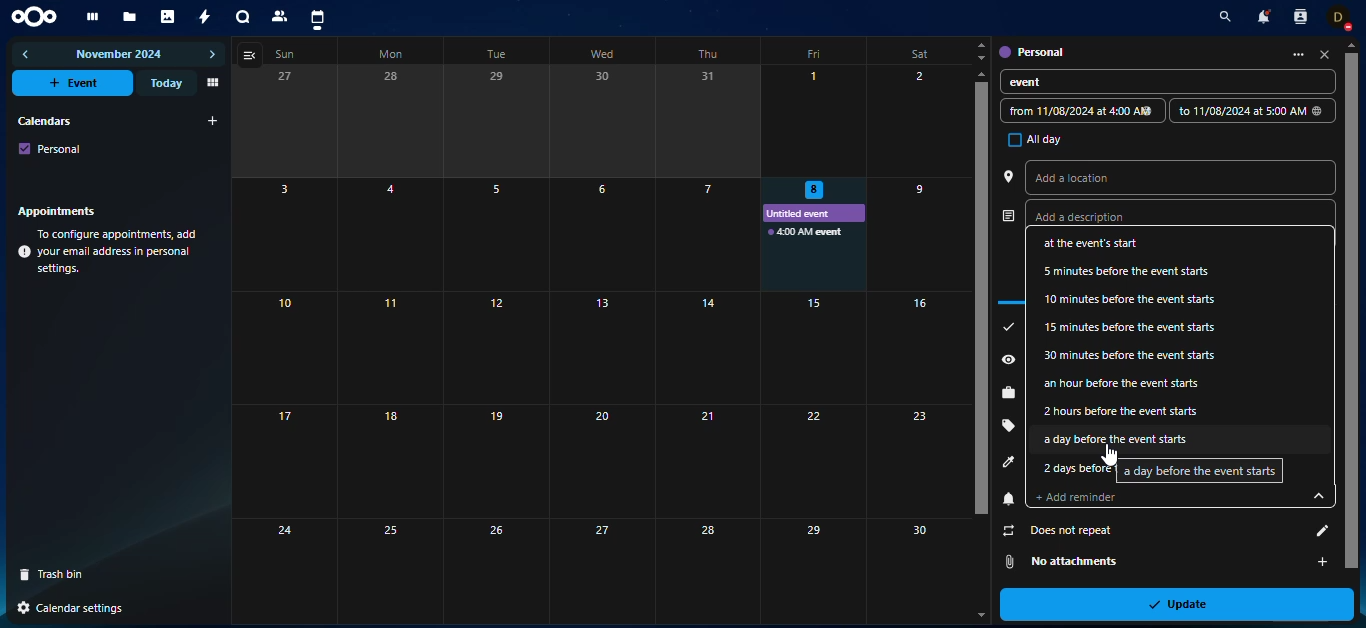 This screenshot has width=1366, height=628. Describe the element at coordinates (1092, 176) in the screenshot. I see `add a location` at that location.